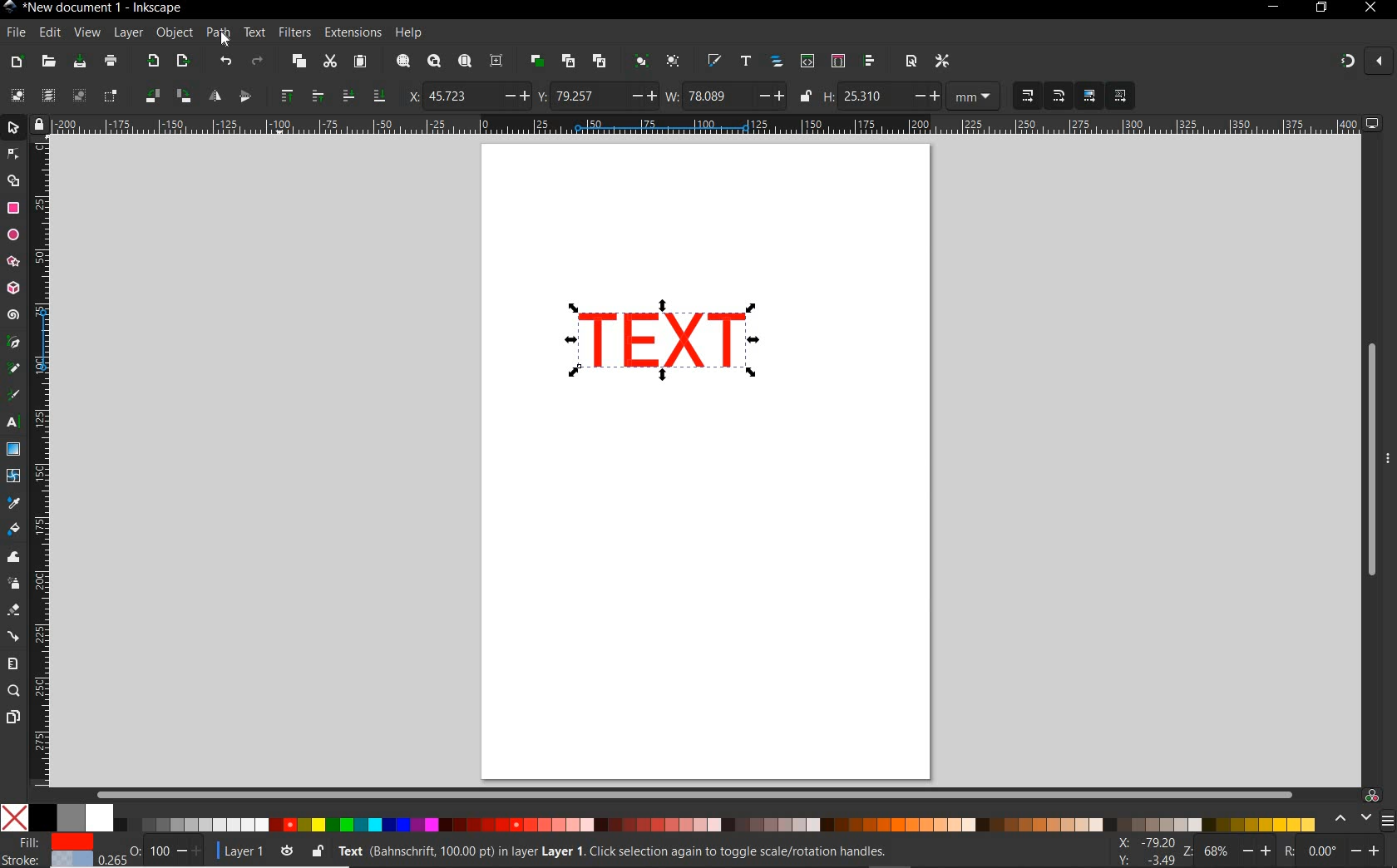 This screenshot has height=868, width=1397. What do you see at coordinates (807, 62) in the screenshot?
I see `OPEN XML EDITOR` at bounding box center [807, 62].